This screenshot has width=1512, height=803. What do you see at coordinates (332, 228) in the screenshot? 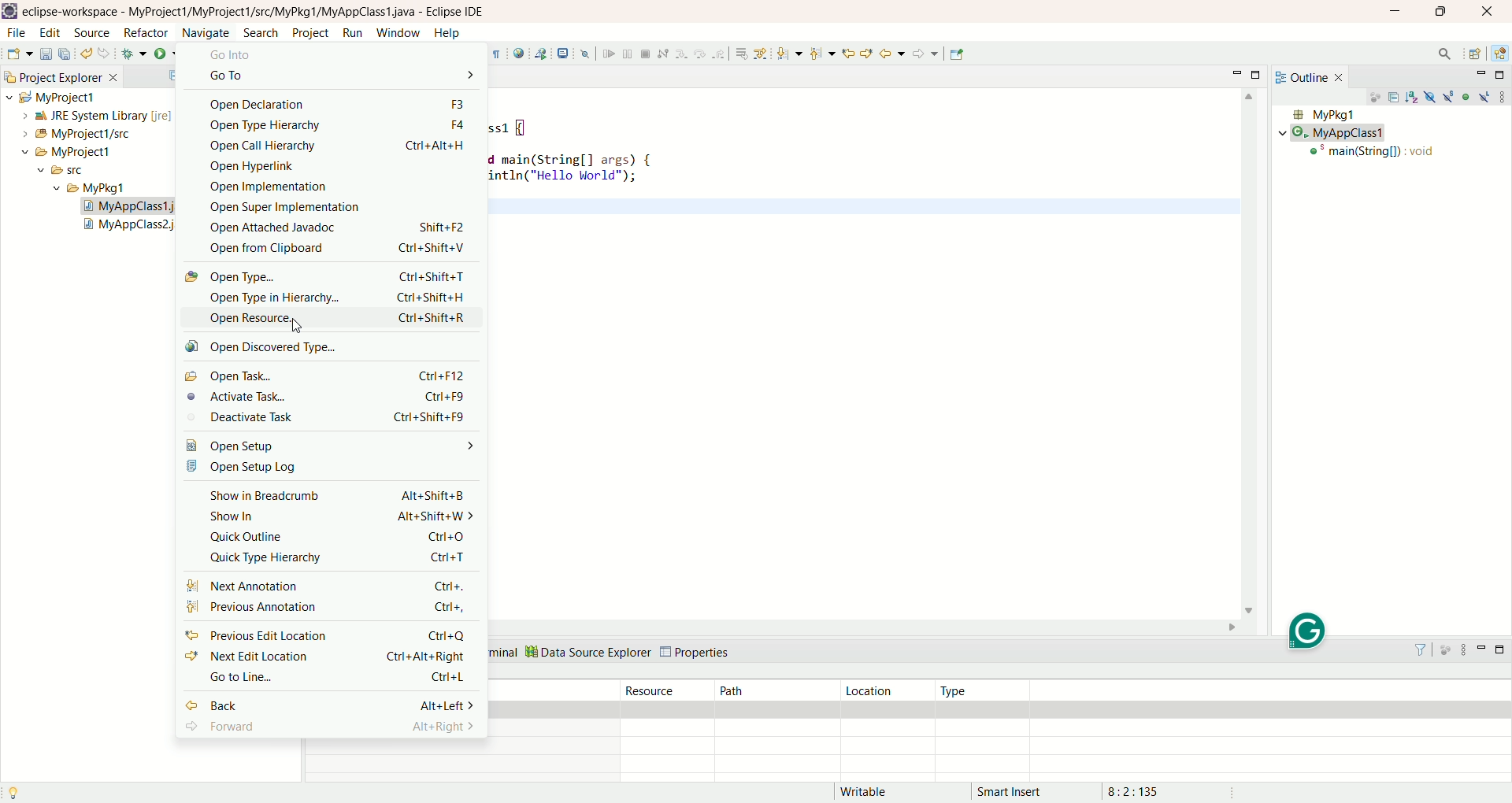
I see `open attached javadoc` at bounding box center [332, 228].